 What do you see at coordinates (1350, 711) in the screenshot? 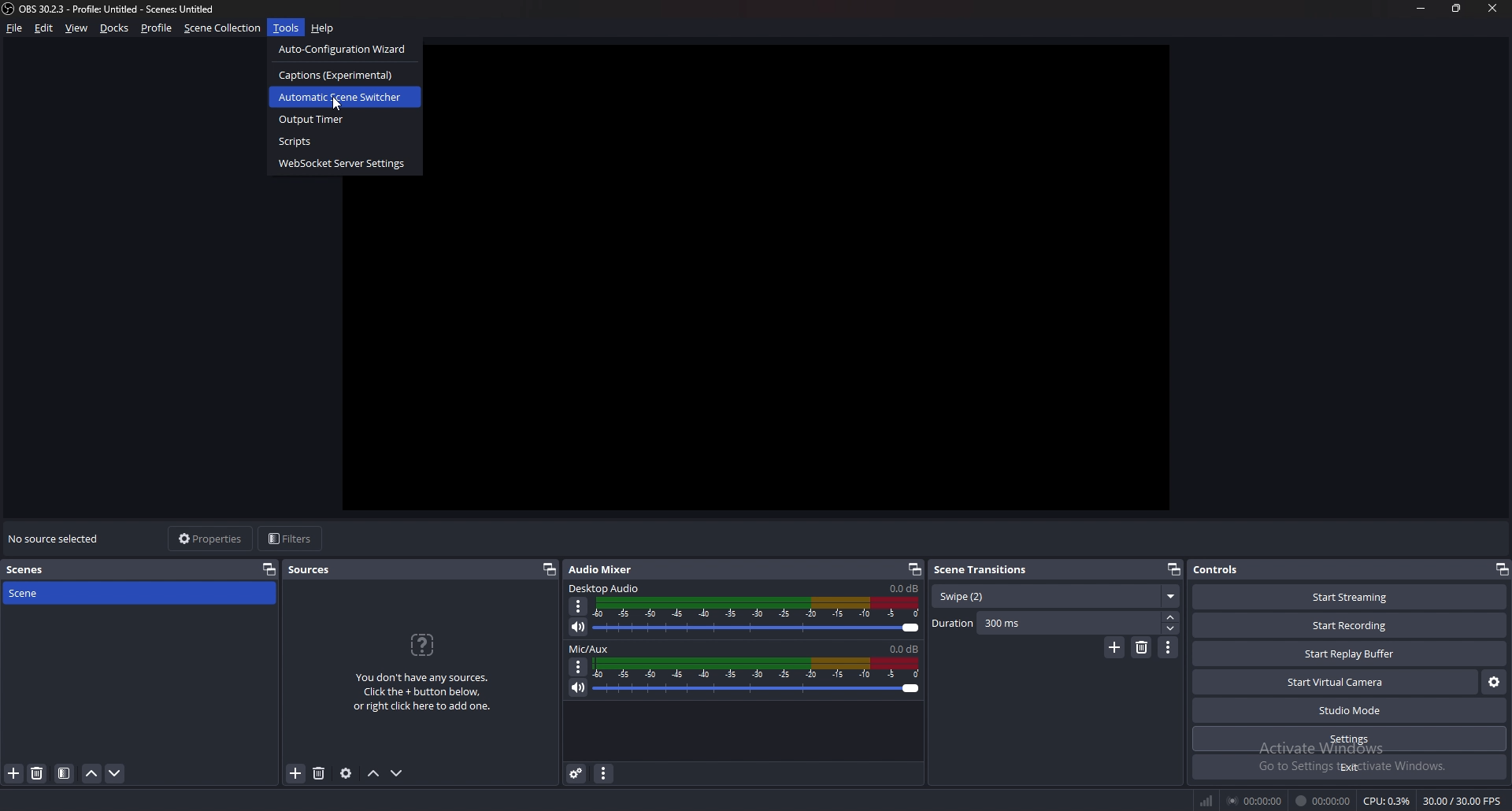
I see `studio mode` at bounding box center [1350, 711].